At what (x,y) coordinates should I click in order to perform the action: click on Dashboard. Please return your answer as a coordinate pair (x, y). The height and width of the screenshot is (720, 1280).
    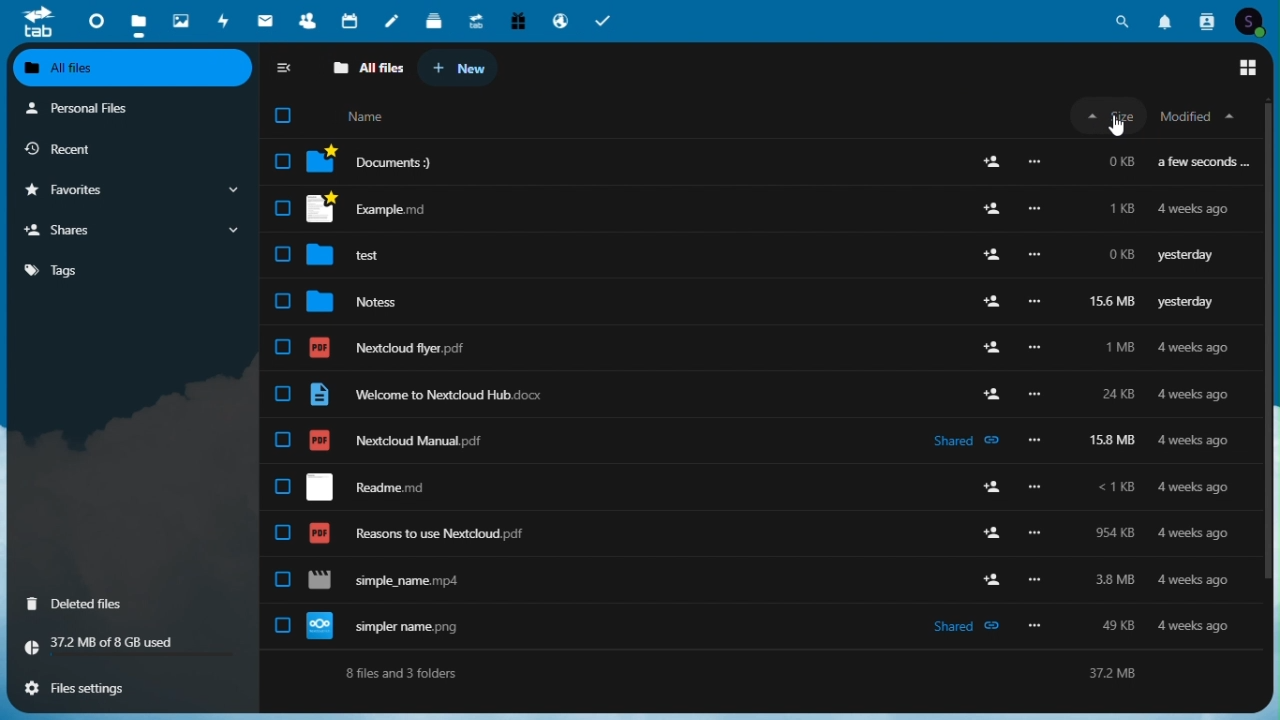
    Looking at the image, I should click on (94, 21).